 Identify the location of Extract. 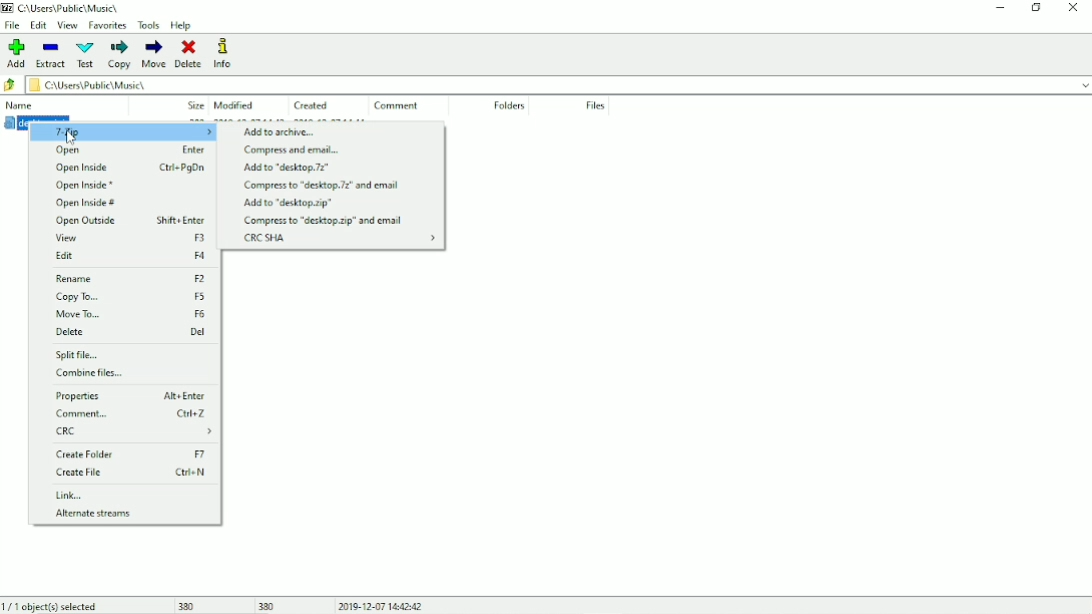
(50, 54).